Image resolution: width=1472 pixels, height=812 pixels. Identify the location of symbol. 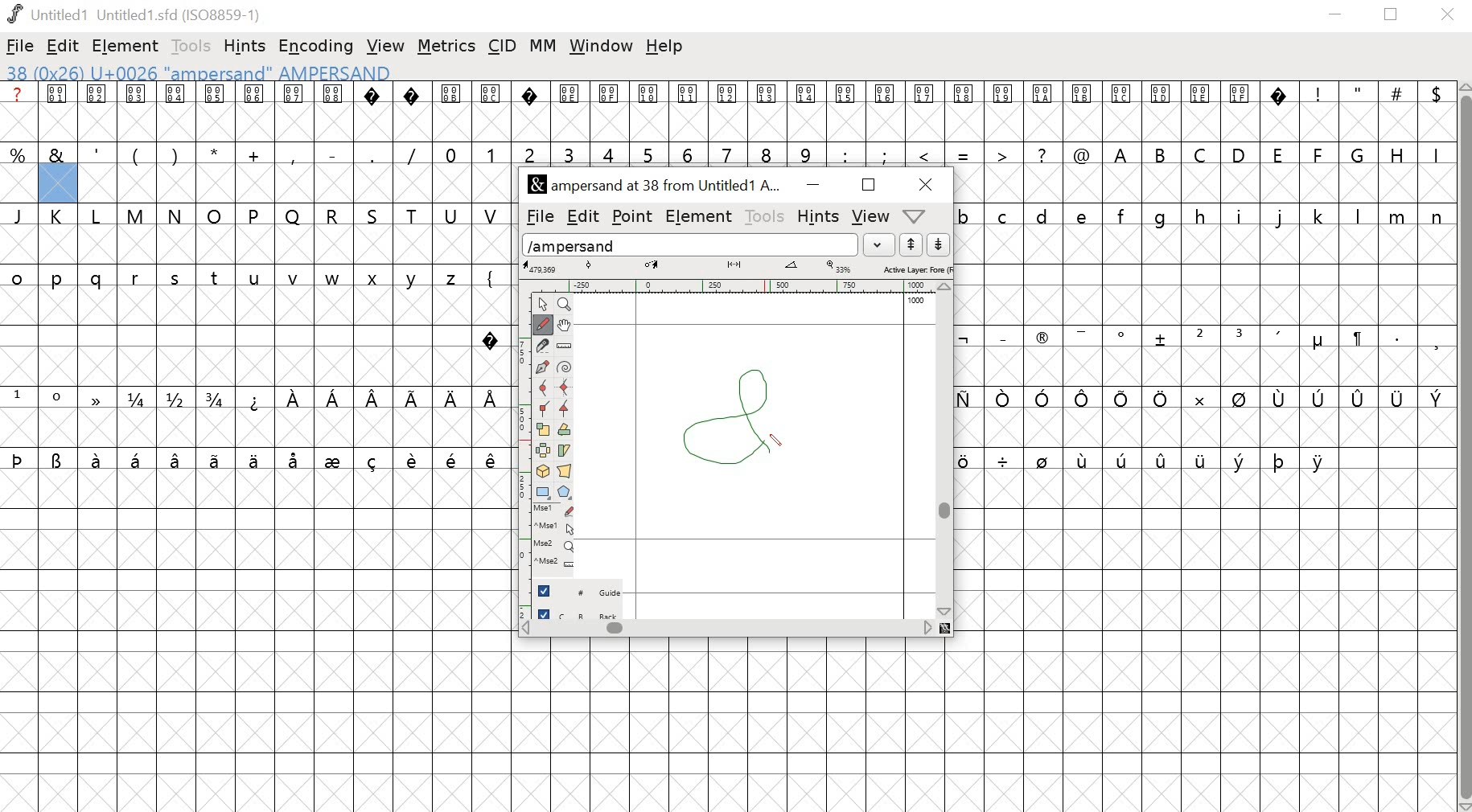
(138, 459).